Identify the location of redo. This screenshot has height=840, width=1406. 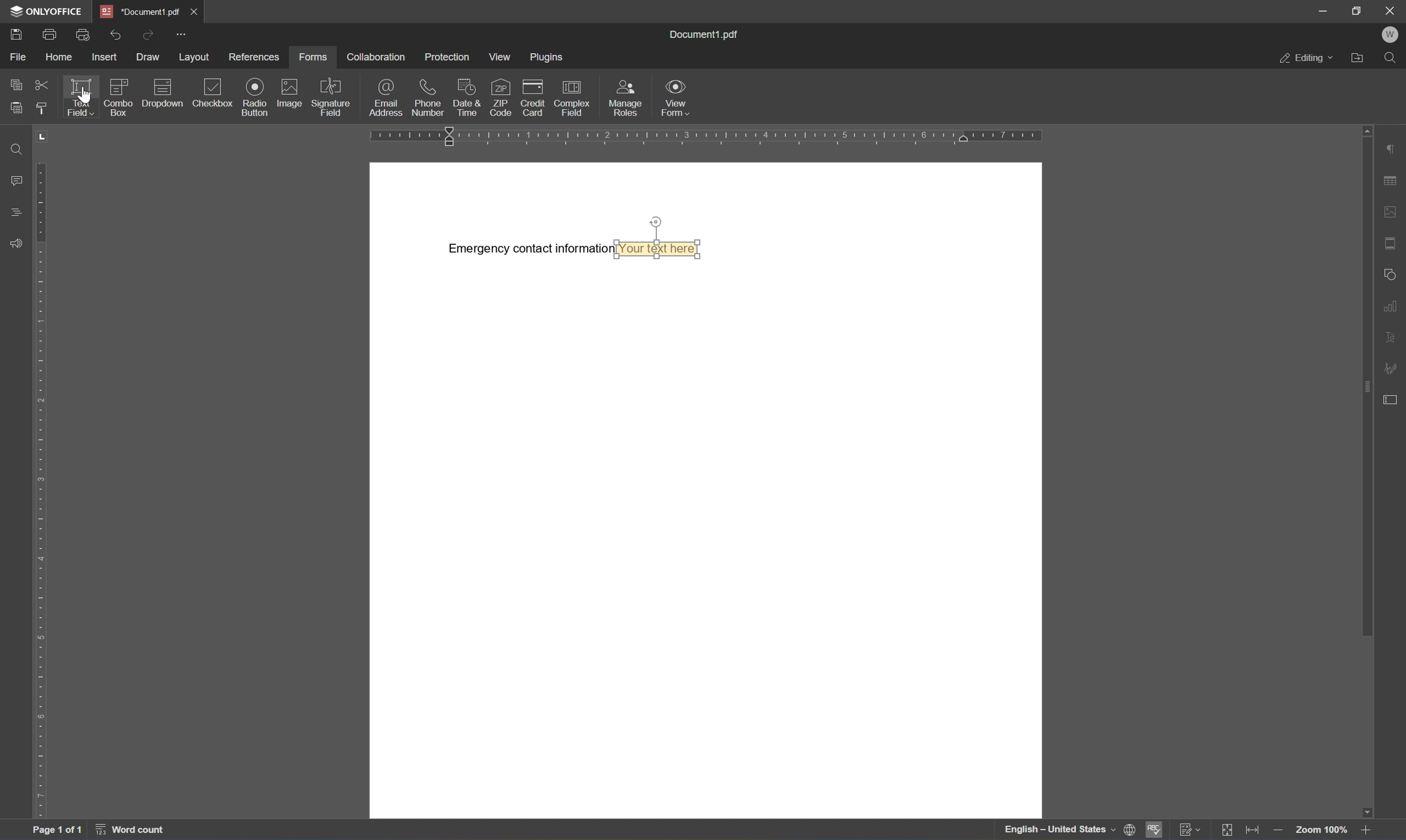
(146, 36).